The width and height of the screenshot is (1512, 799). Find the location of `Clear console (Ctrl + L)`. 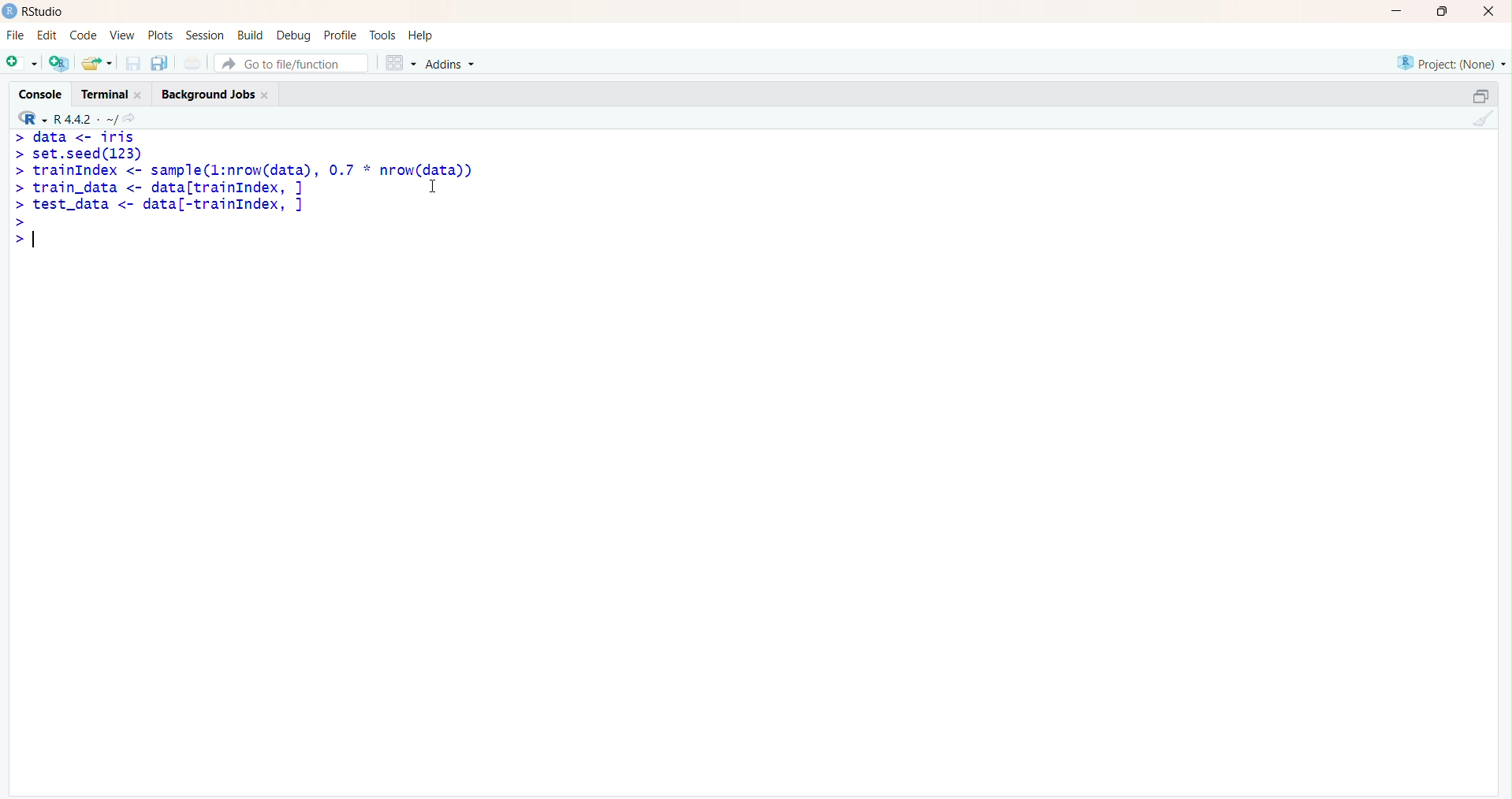

Clear console (Ctrl + L) is located at coordinates (1481, 120).